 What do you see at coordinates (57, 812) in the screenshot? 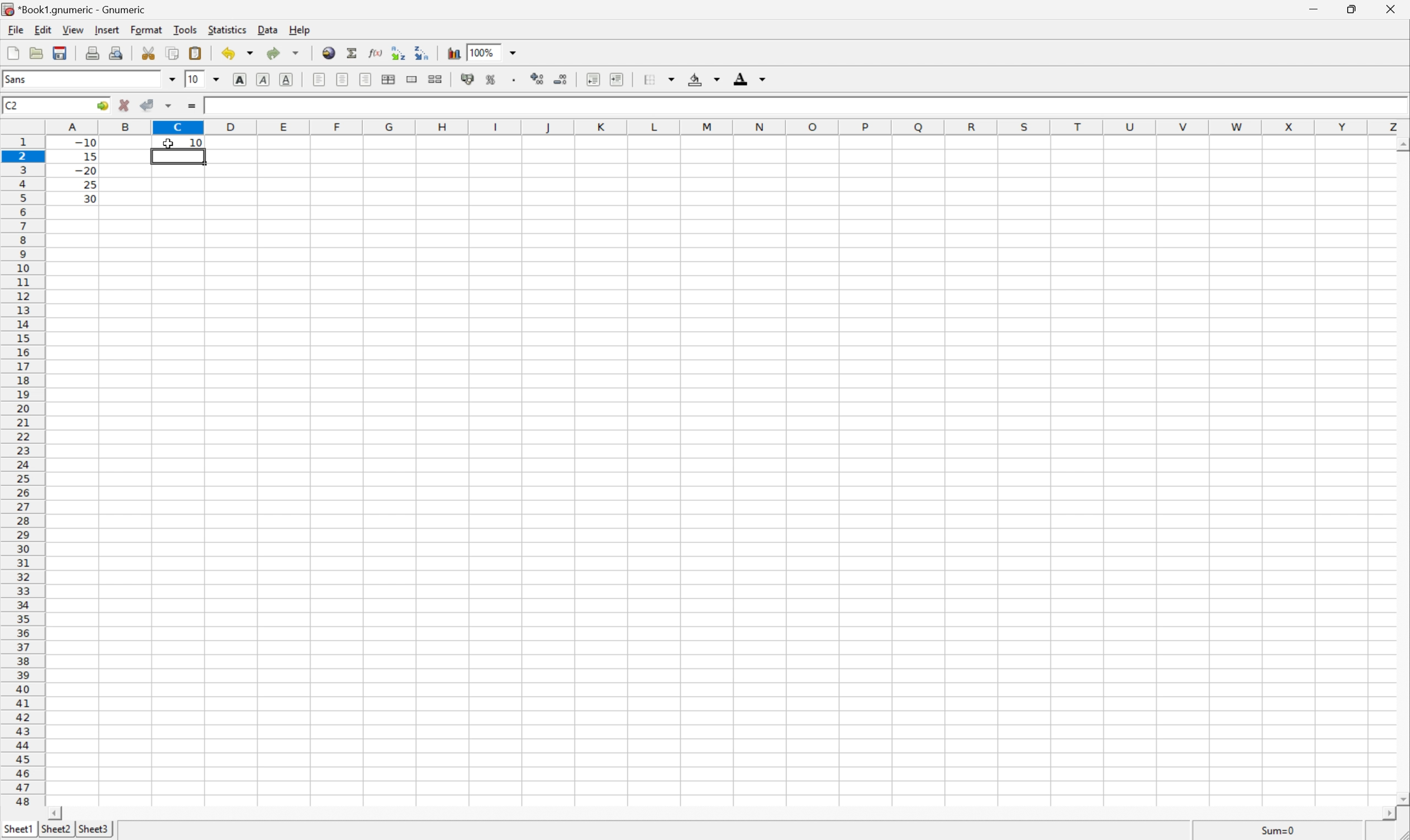
I see `Scroll left` at bounding box center [57, 812].